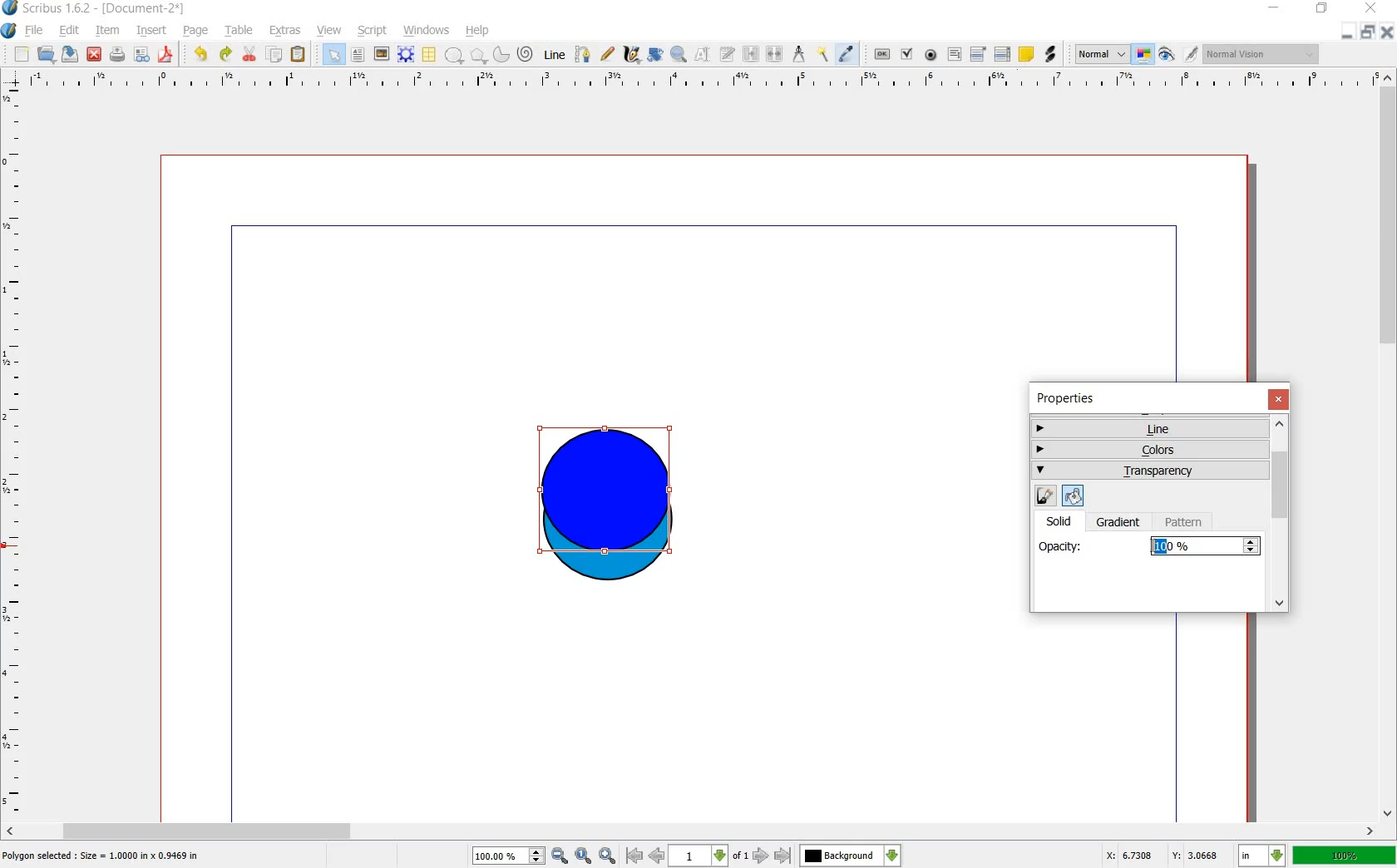 Image resolution: width=1397 pixels, height=868 pixels. What do you see at coordinates (477, 31) in the screenshot?
I see `help` at bounding box center [477, 31].